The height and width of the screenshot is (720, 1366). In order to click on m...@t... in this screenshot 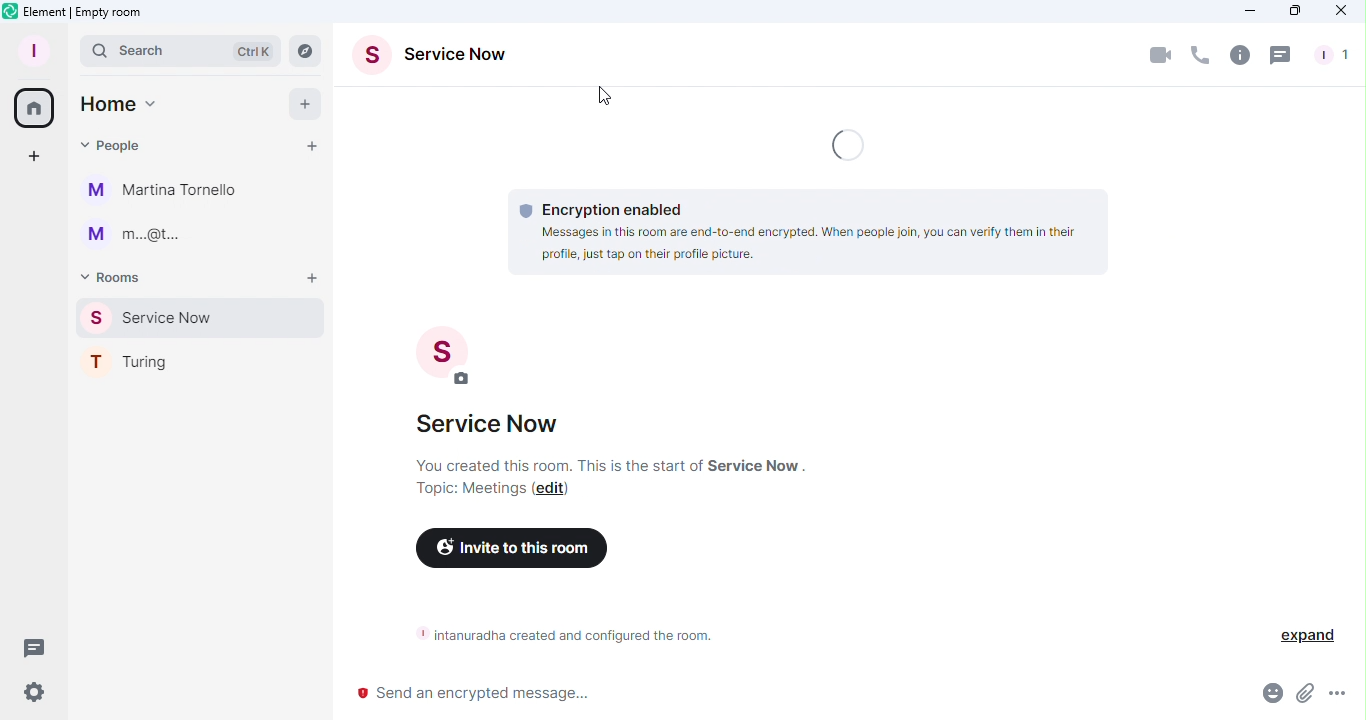, I will do `click(150, 239)`.